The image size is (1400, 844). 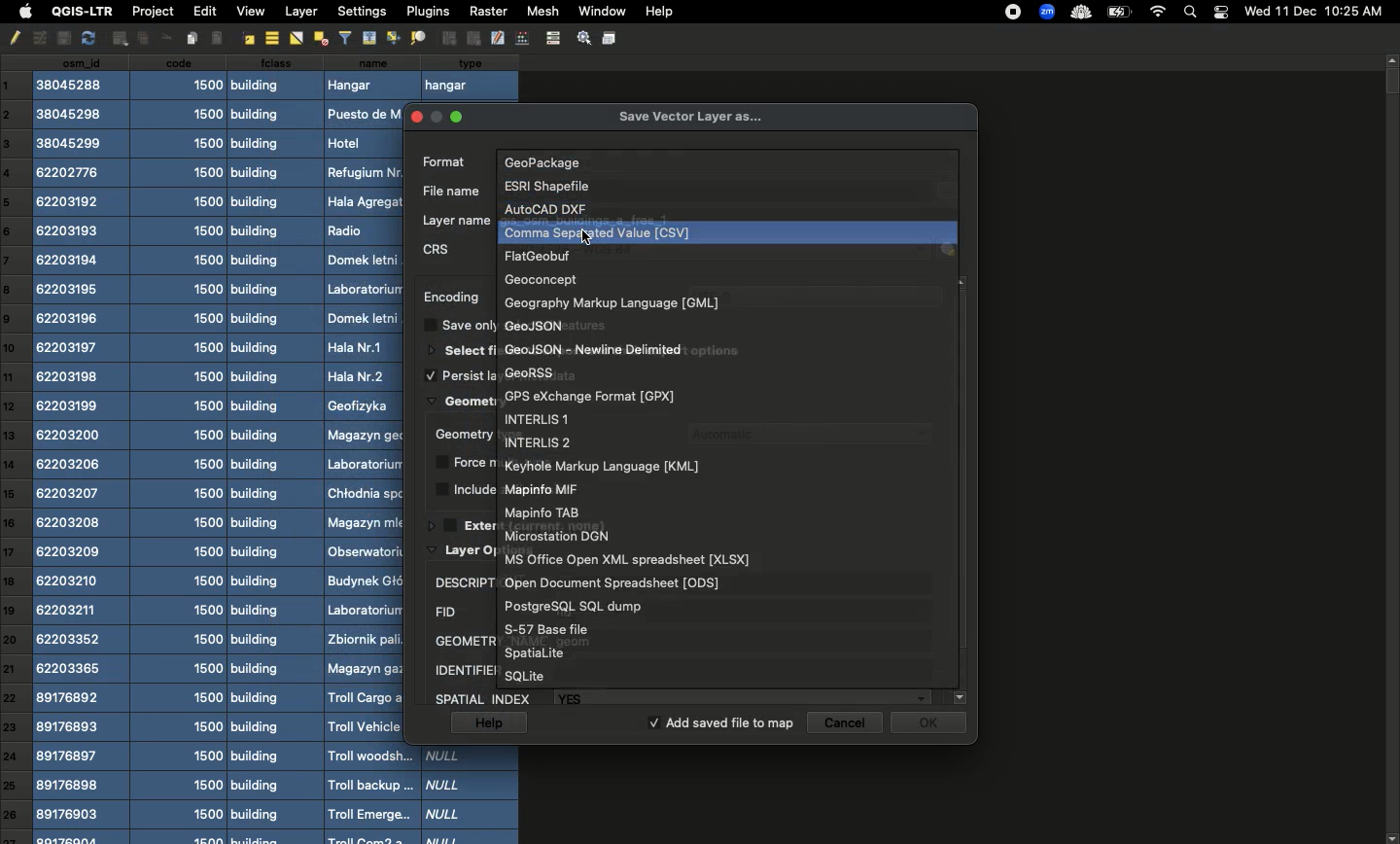 What do you see at coordinates (538, 255) in the screenshot?
I see `Format` at bounding box center [538, 255].